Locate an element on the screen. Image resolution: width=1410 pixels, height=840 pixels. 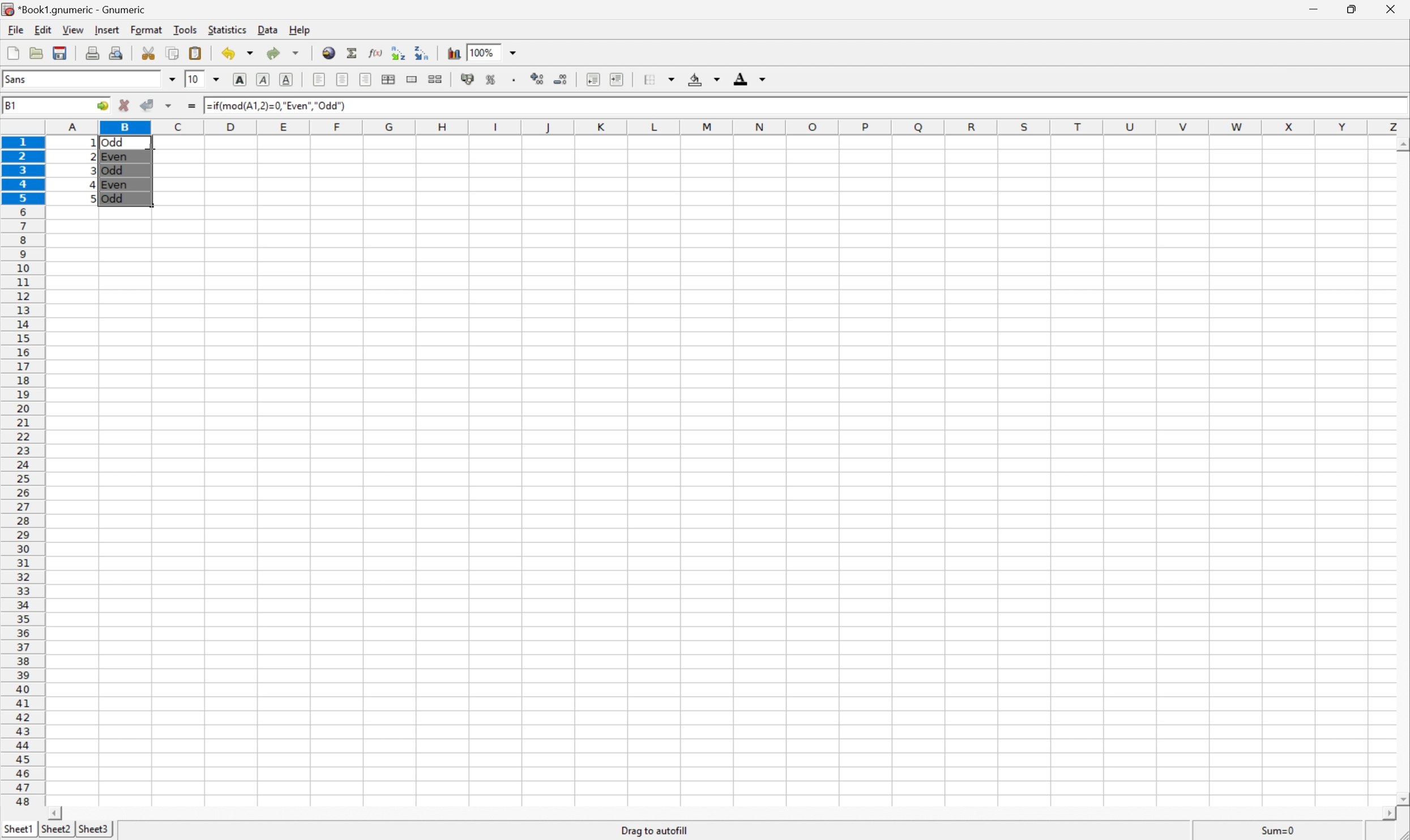
Cancel changes is located at coordinates (122, 104).